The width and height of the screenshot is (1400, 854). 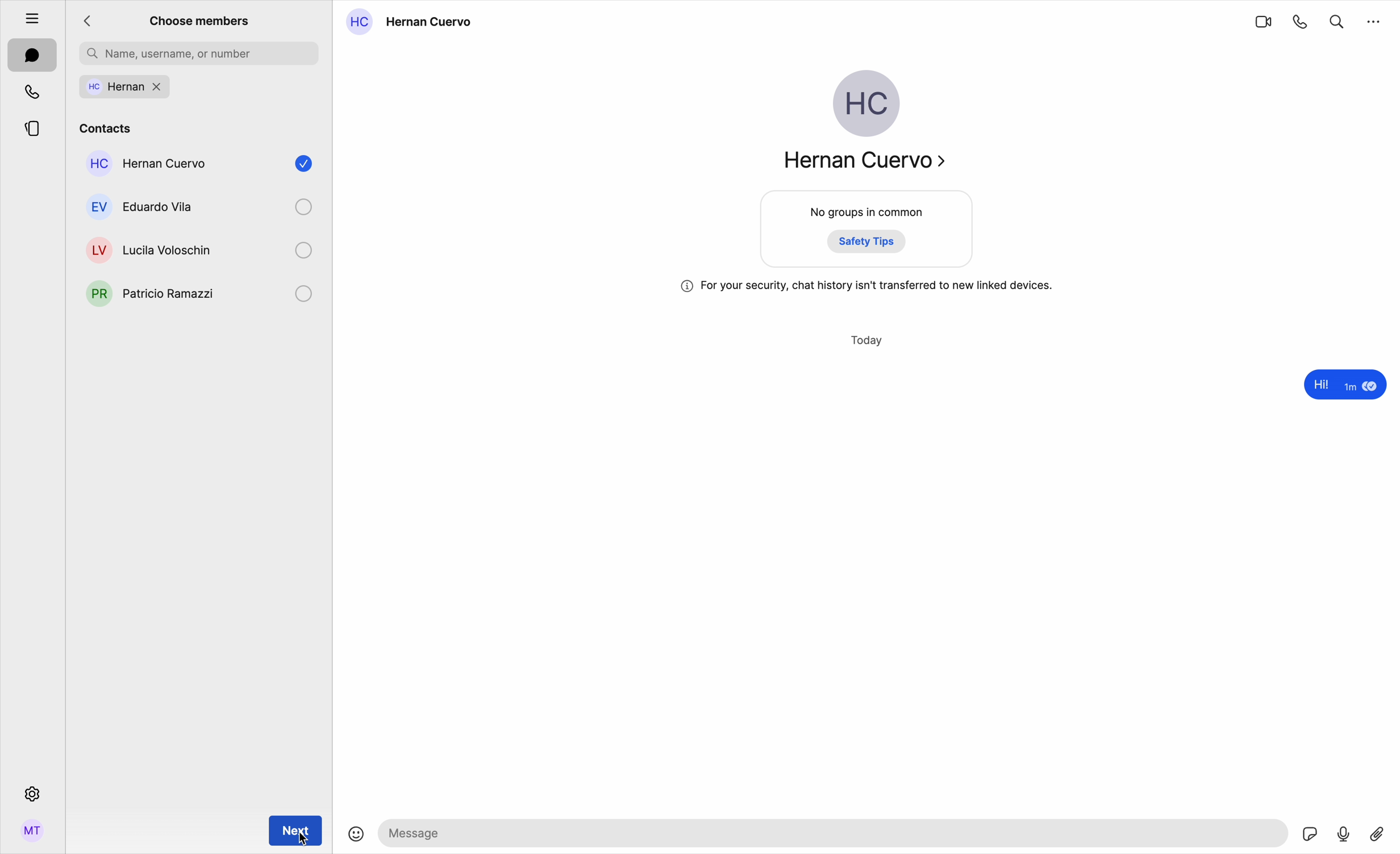 What do you see at coordinates (200, 20) in the screenshot?
I see `choose members` at bounding box center [200, 20].